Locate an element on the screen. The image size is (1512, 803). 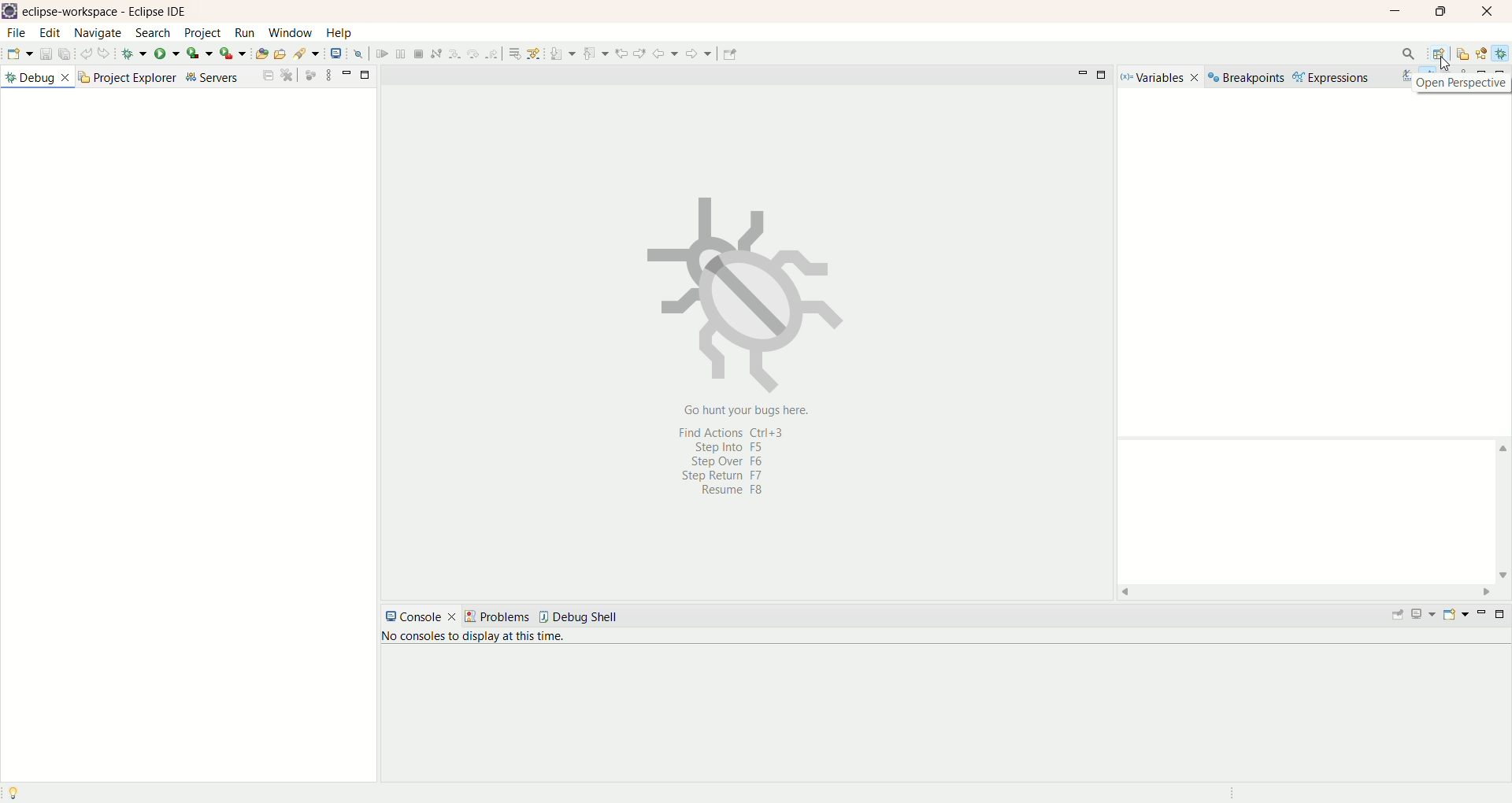
suspend is located at coordinates (513, 54).